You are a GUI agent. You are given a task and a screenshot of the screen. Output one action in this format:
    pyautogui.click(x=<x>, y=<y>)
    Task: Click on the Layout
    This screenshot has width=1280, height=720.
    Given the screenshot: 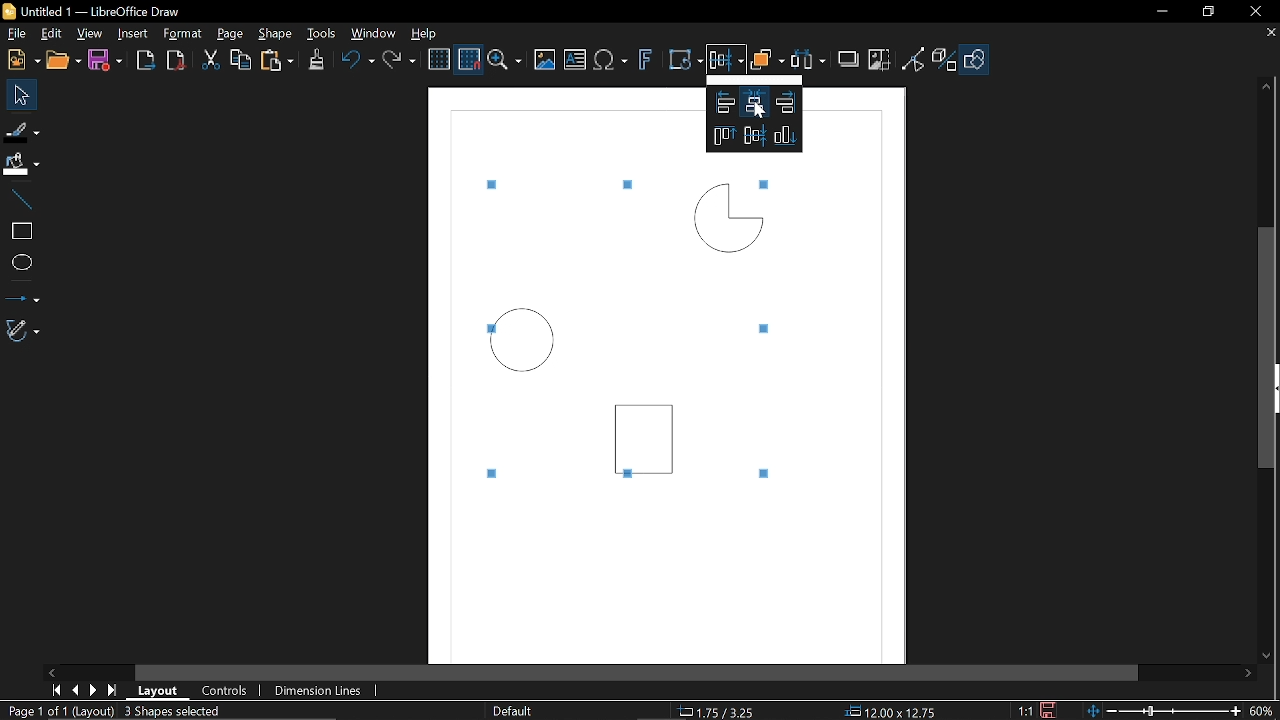 What is the action you would take?
    pyautogui.click(x=158, y=691)
    